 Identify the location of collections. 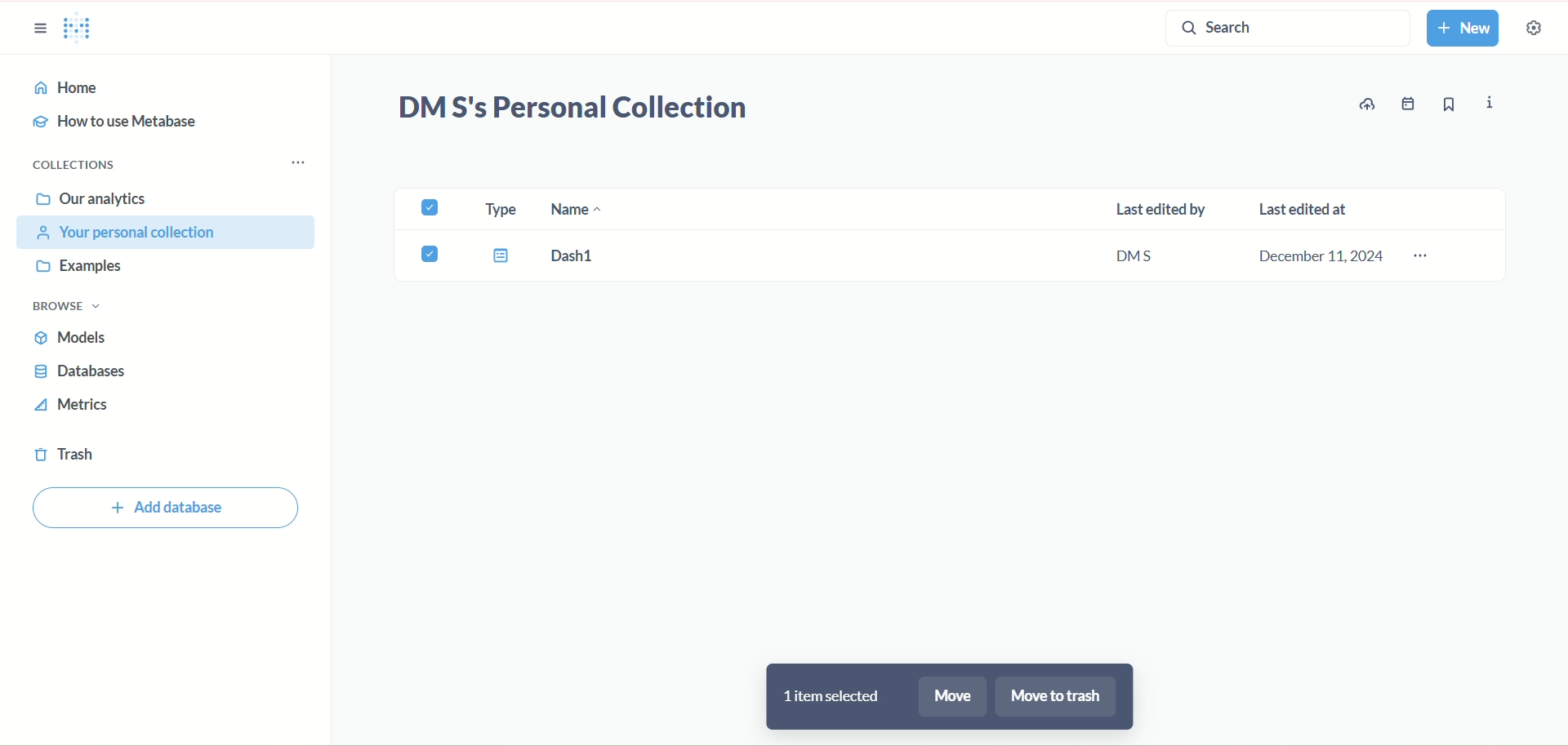
(75, 165).